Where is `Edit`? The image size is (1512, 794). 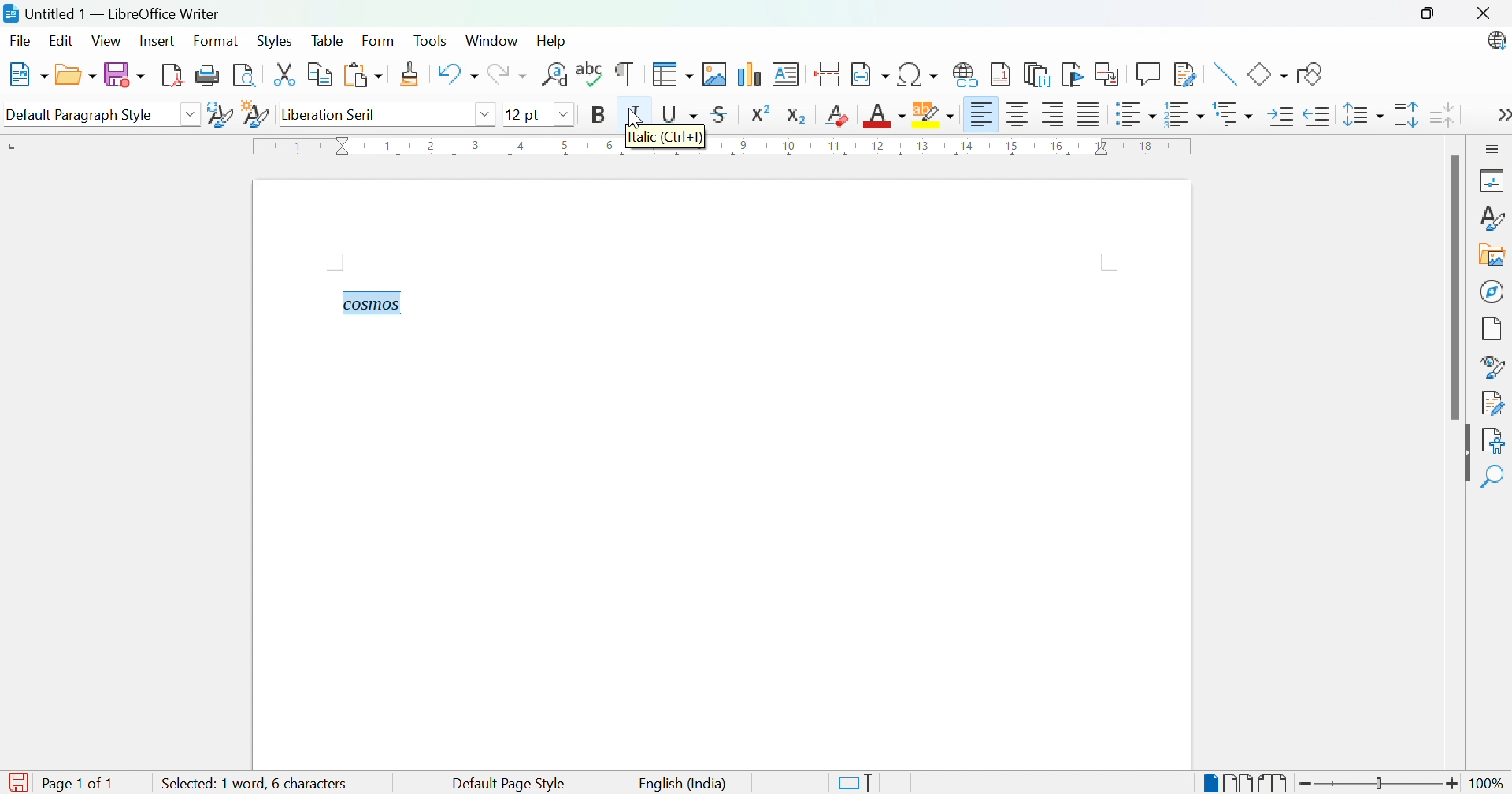
Edit is located at coordinates (61, 42).